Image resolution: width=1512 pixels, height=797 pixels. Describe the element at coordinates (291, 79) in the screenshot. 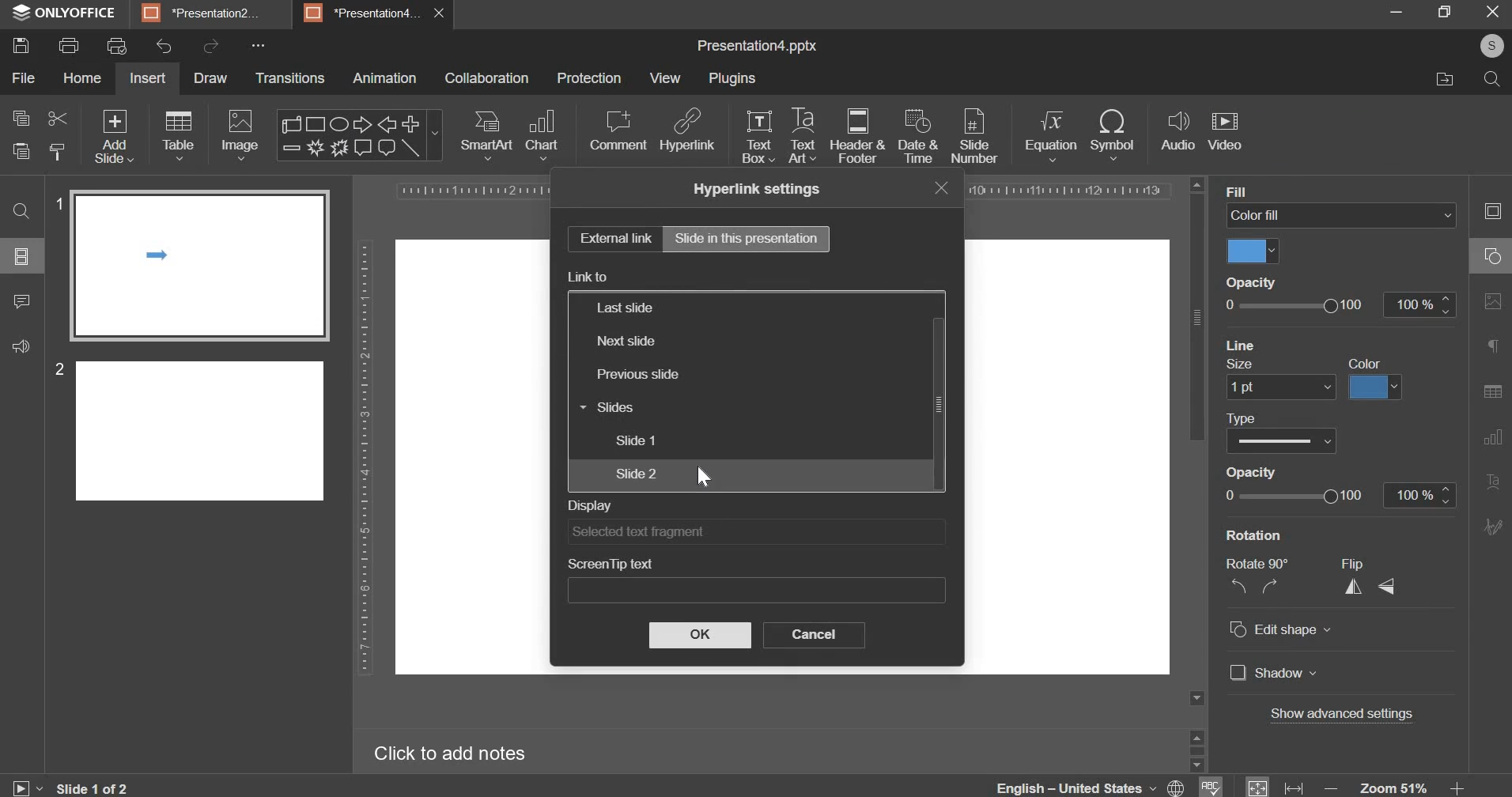

I see `transitions` at that location.